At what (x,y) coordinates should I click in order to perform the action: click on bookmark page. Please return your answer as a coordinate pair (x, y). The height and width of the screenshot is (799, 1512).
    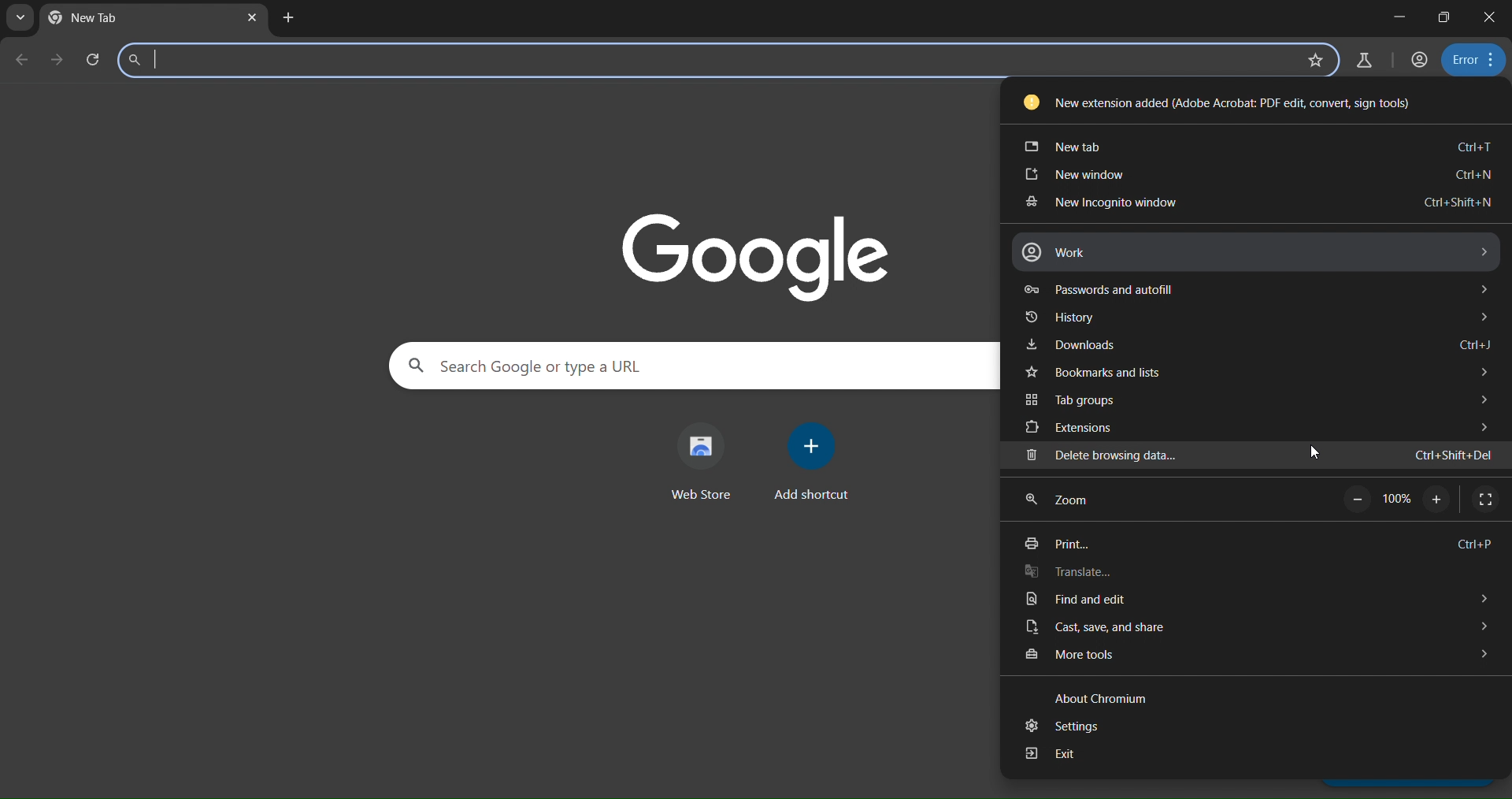
    Looking at the image, I should click on (1315, 61).